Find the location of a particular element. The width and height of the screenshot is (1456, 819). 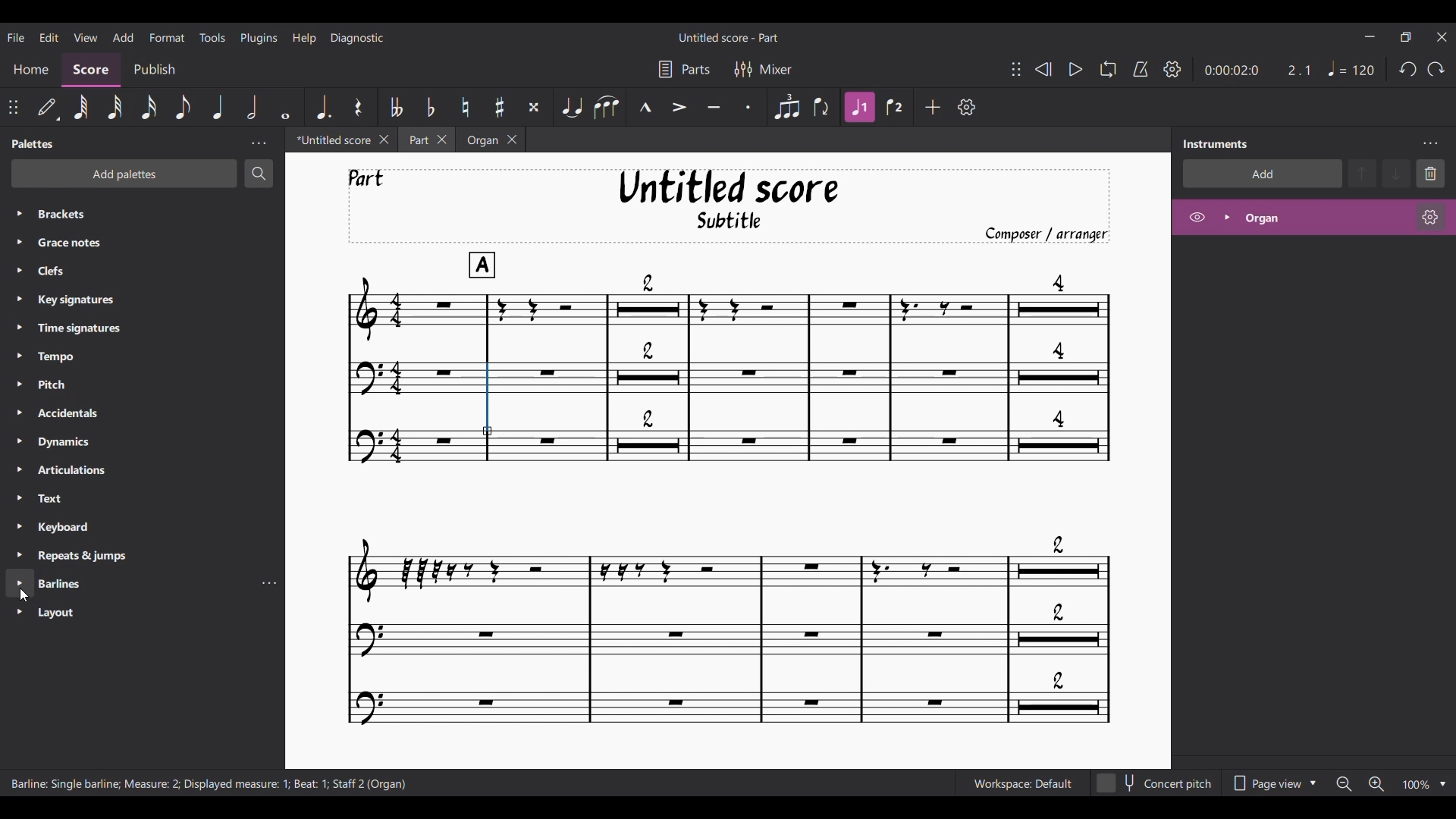

List of palette under Palette is located at coordinates (156, 420).